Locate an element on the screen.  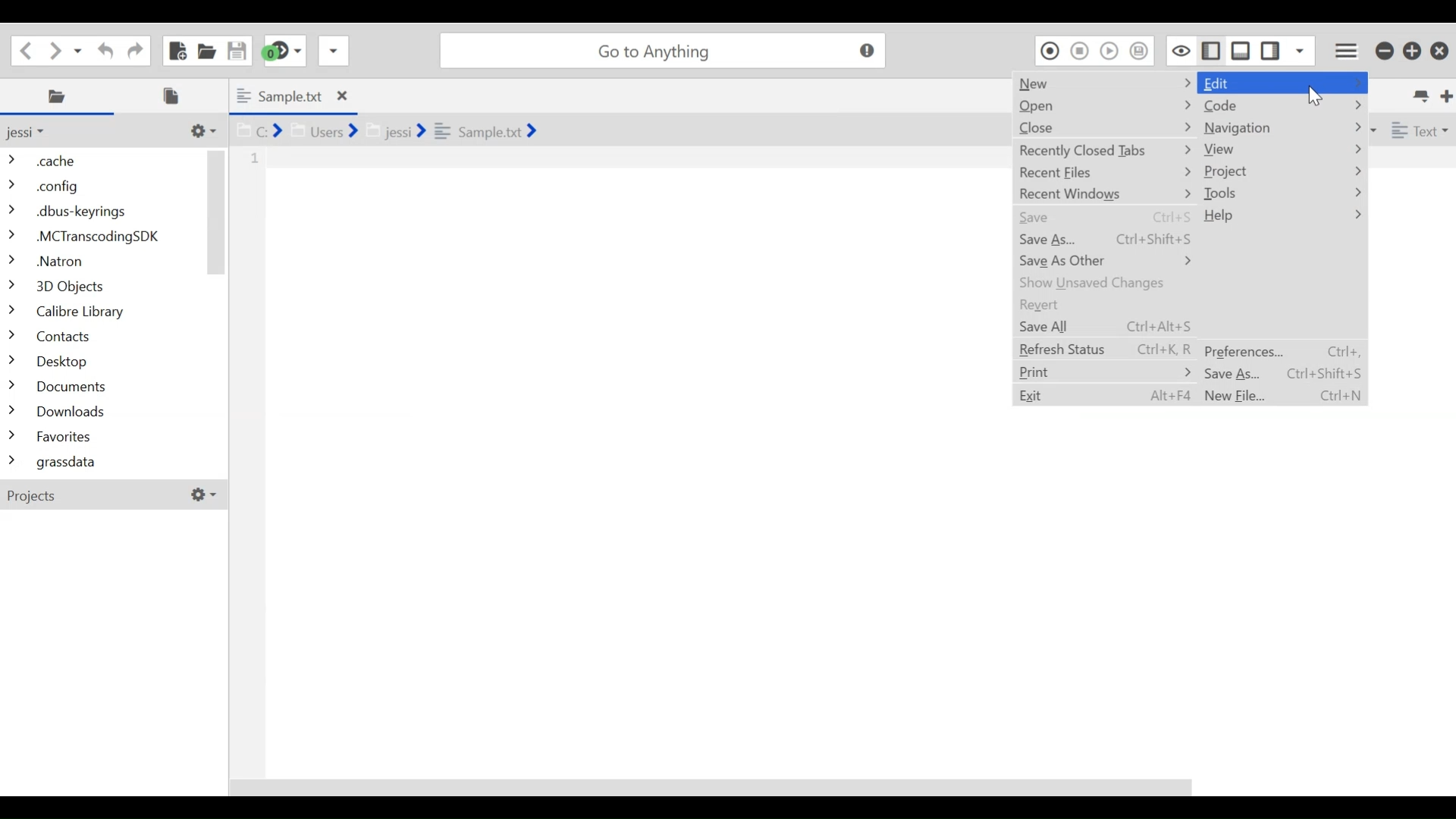
Save All is located at coordinates (1105, 327).